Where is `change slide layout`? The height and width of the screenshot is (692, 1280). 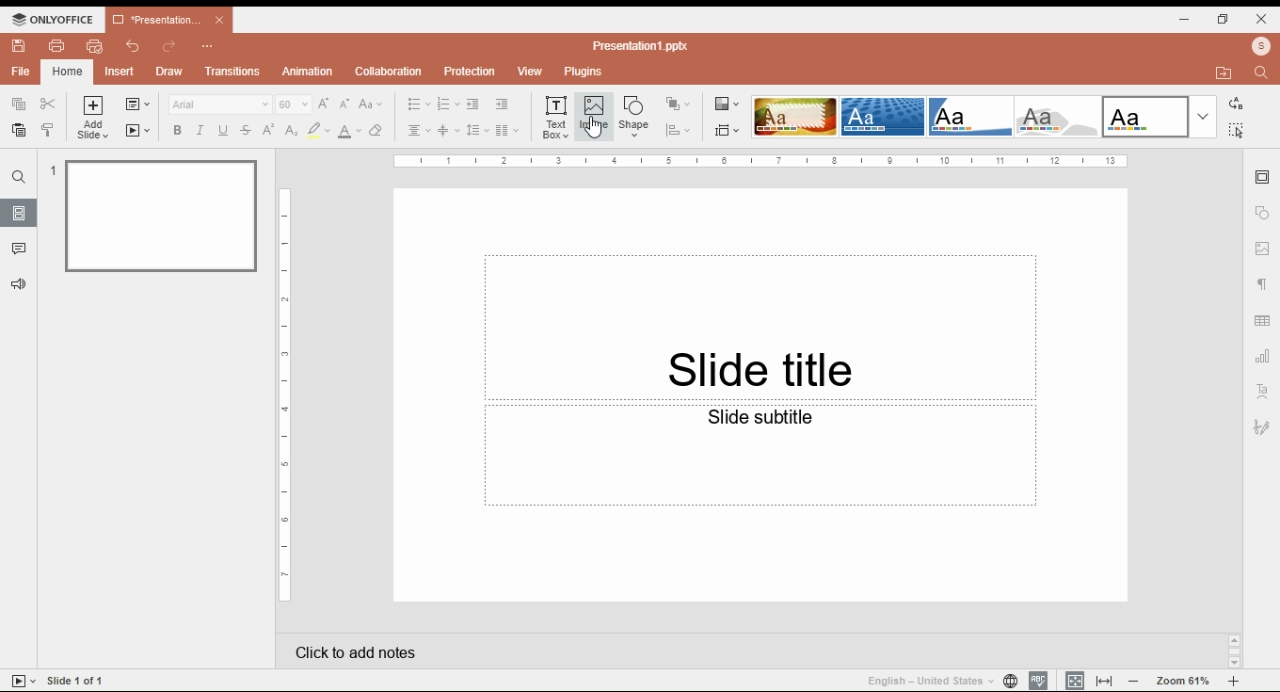
change slide layout is located at coordinates (138, 104).